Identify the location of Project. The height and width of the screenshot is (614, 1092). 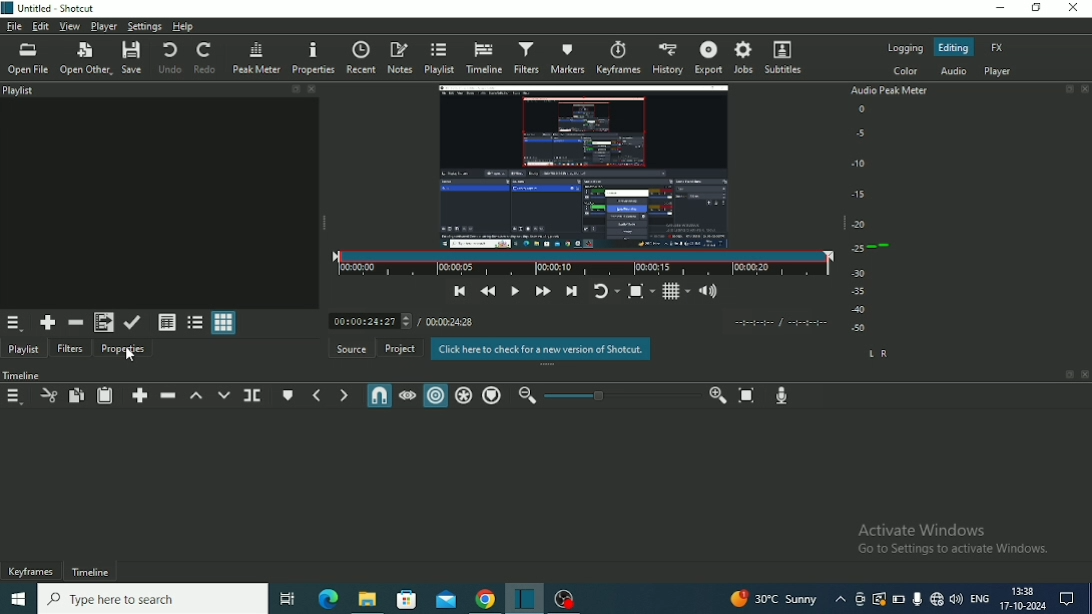
(399, 348).